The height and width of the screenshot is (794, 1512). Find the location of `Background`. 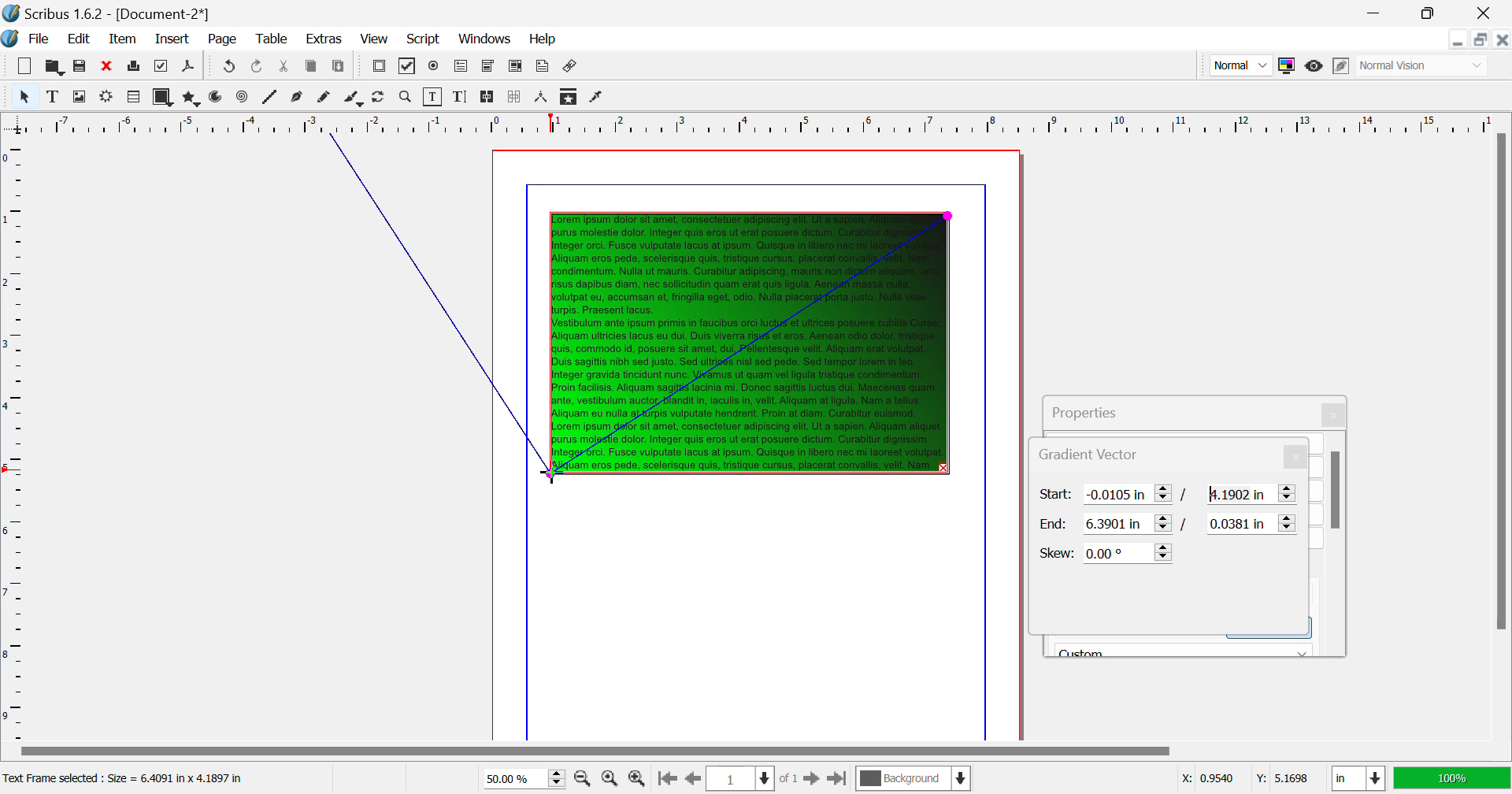

Background is located at coordinates (913, 780).